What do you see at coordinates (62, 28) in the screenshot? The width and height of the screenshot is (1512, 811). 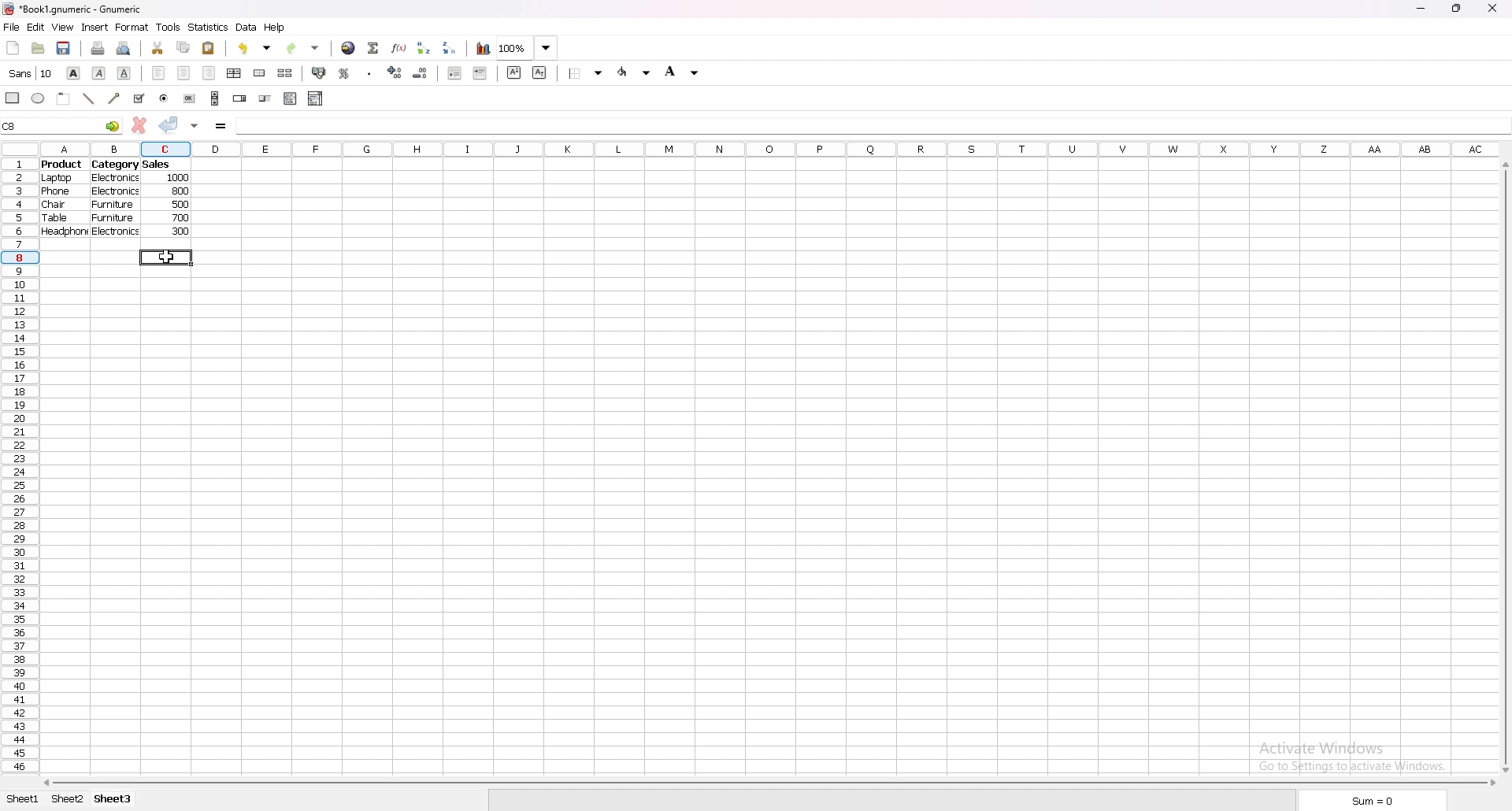 I see `view` at bounding box center [62, 28].